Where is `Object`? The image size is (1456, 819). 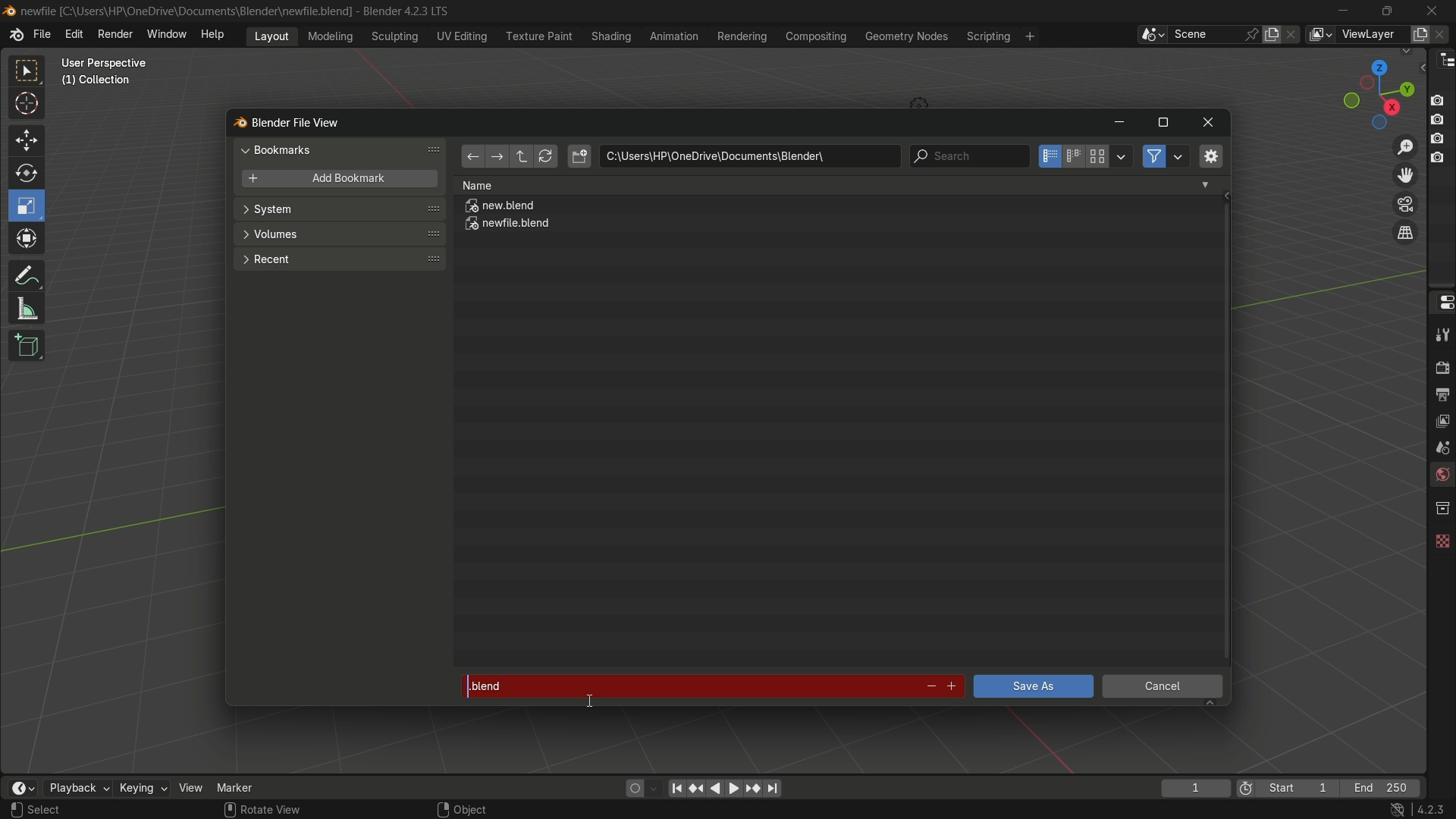 Object is located at coordinates (480, 805).